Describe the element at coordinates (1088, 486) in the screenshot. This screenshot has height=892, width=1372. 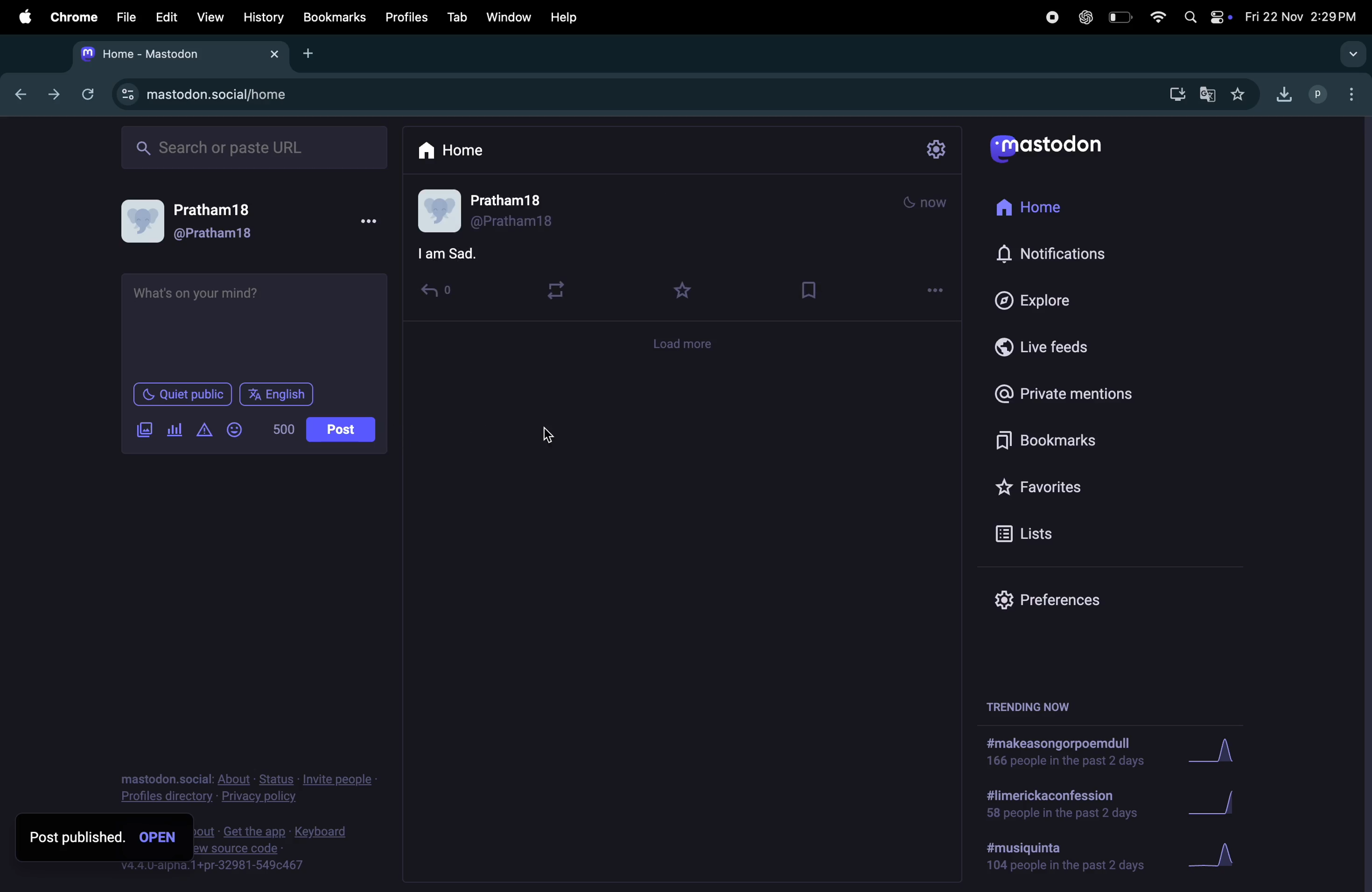
I see `favorites` at that location.